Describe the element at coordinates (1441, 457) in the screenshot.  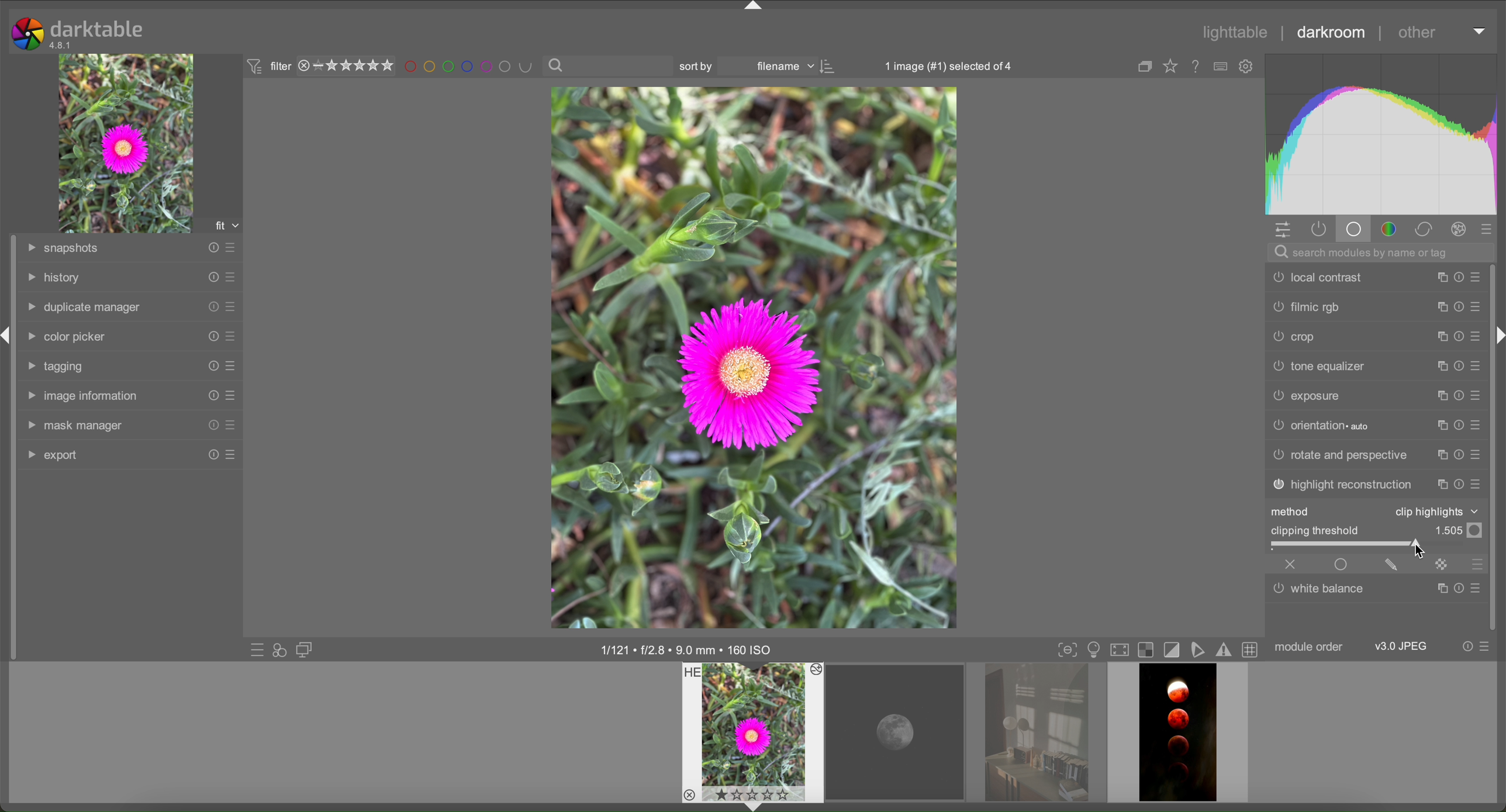
I see `copy` at that location.